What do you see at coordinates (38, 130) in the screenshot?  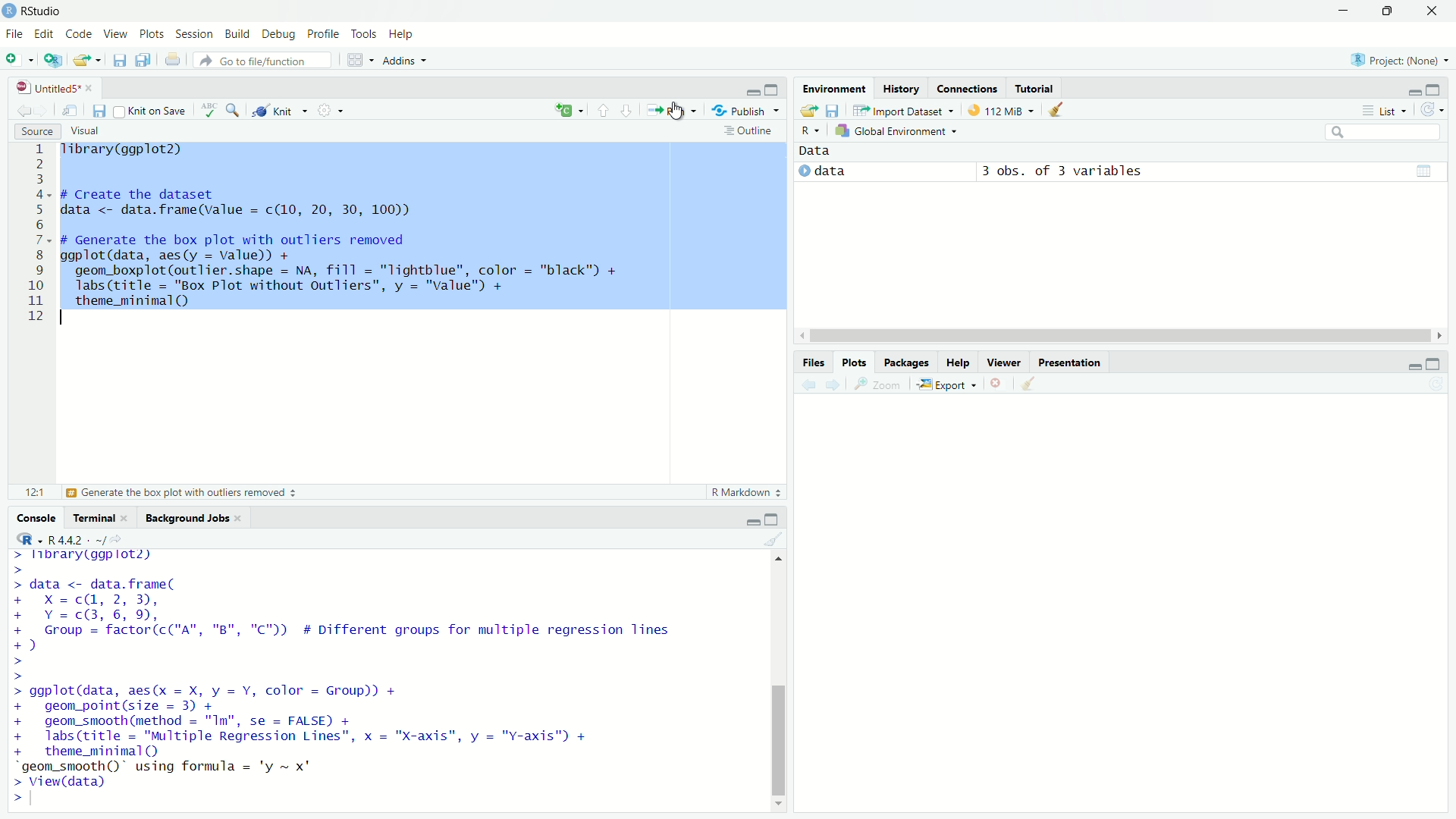 I see `Source` at bounding box center [38, 130].